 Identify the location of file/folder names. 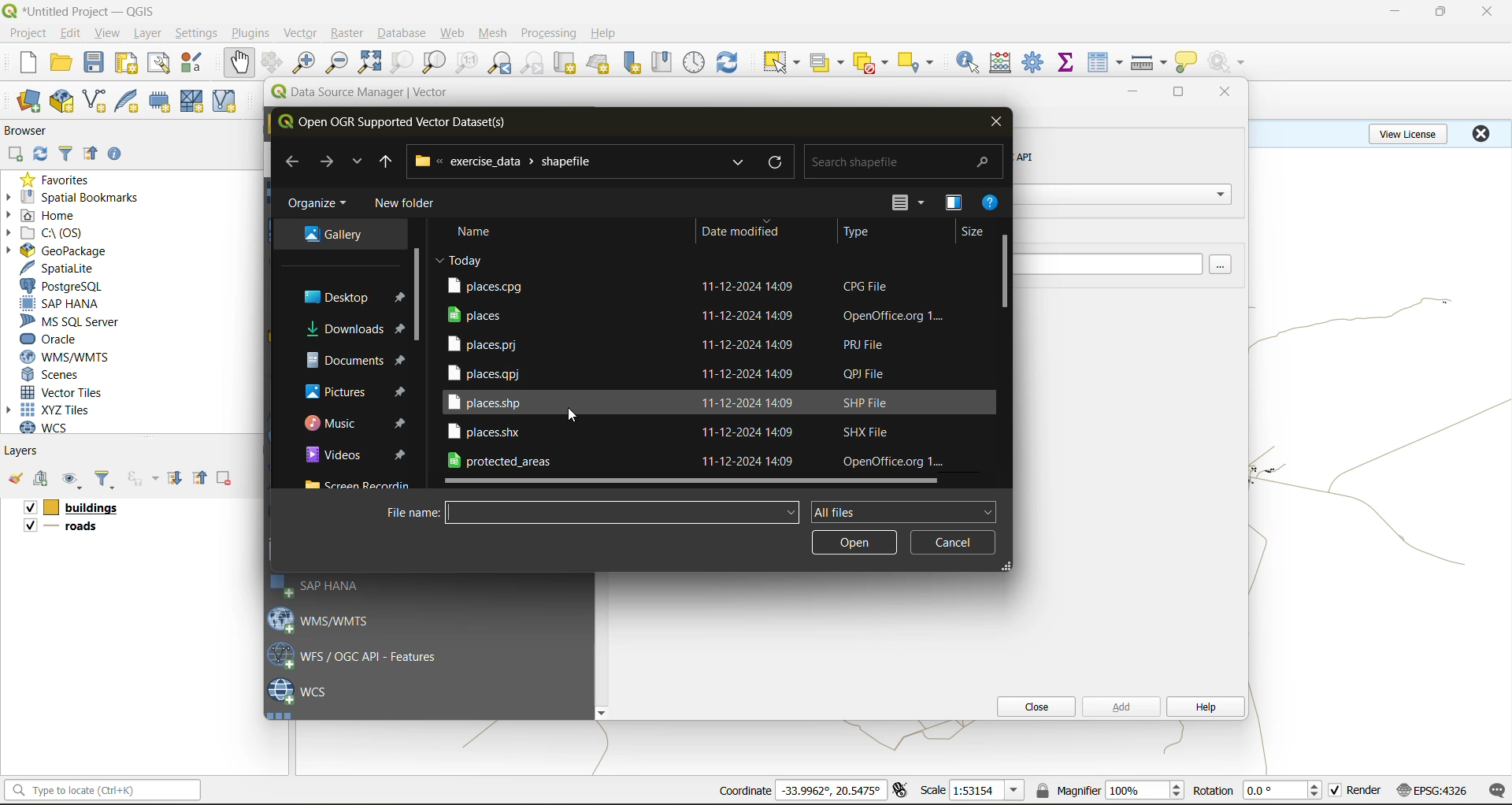
(701, 461).